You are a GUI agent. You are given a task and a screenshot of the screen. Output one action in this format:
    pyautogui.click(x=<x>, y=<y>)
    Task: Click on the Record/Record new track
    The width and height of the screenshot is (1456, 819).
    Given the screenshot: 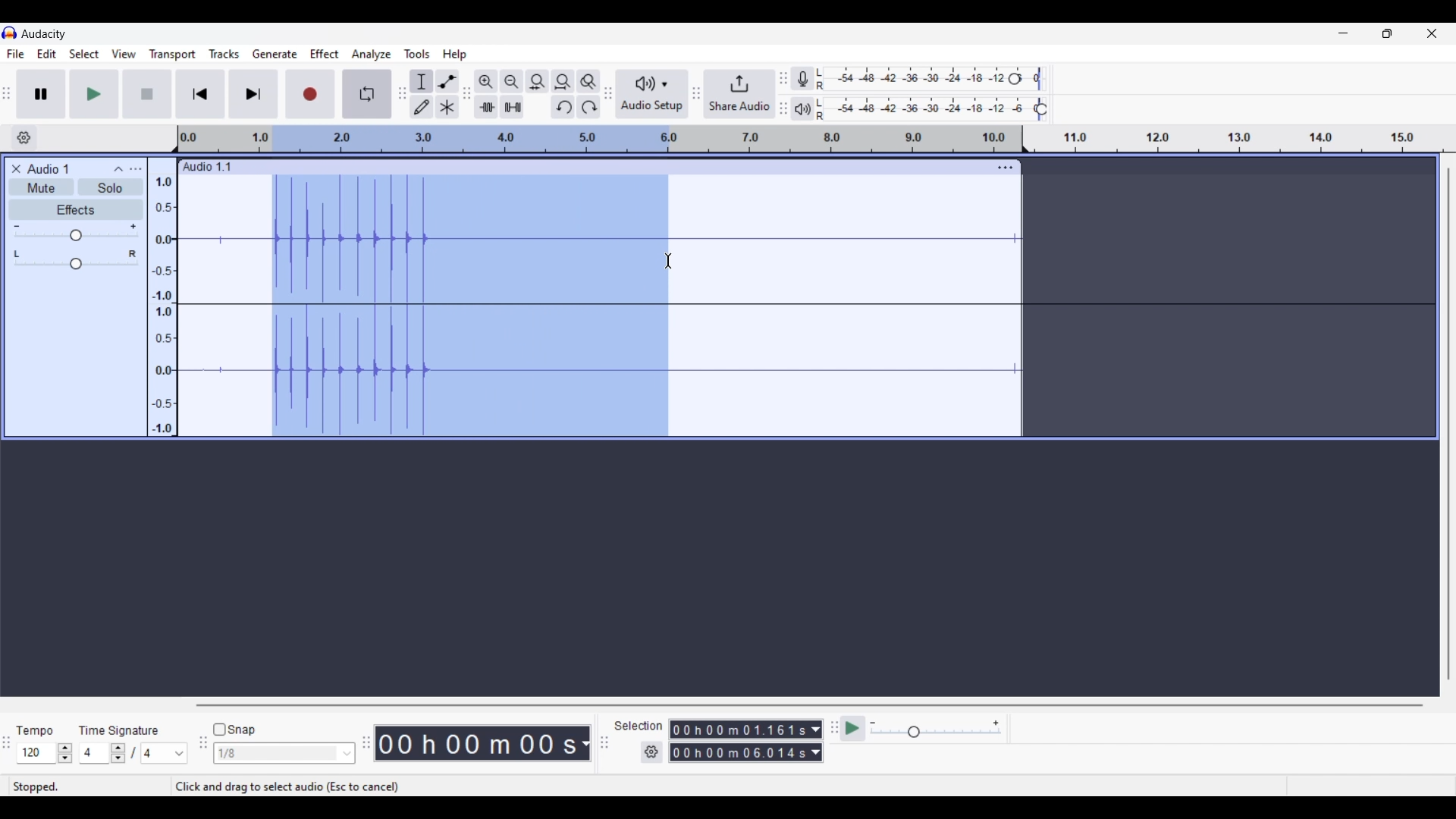 What is the action you would take?
    pyautogui.click(x=311, y=93)
    